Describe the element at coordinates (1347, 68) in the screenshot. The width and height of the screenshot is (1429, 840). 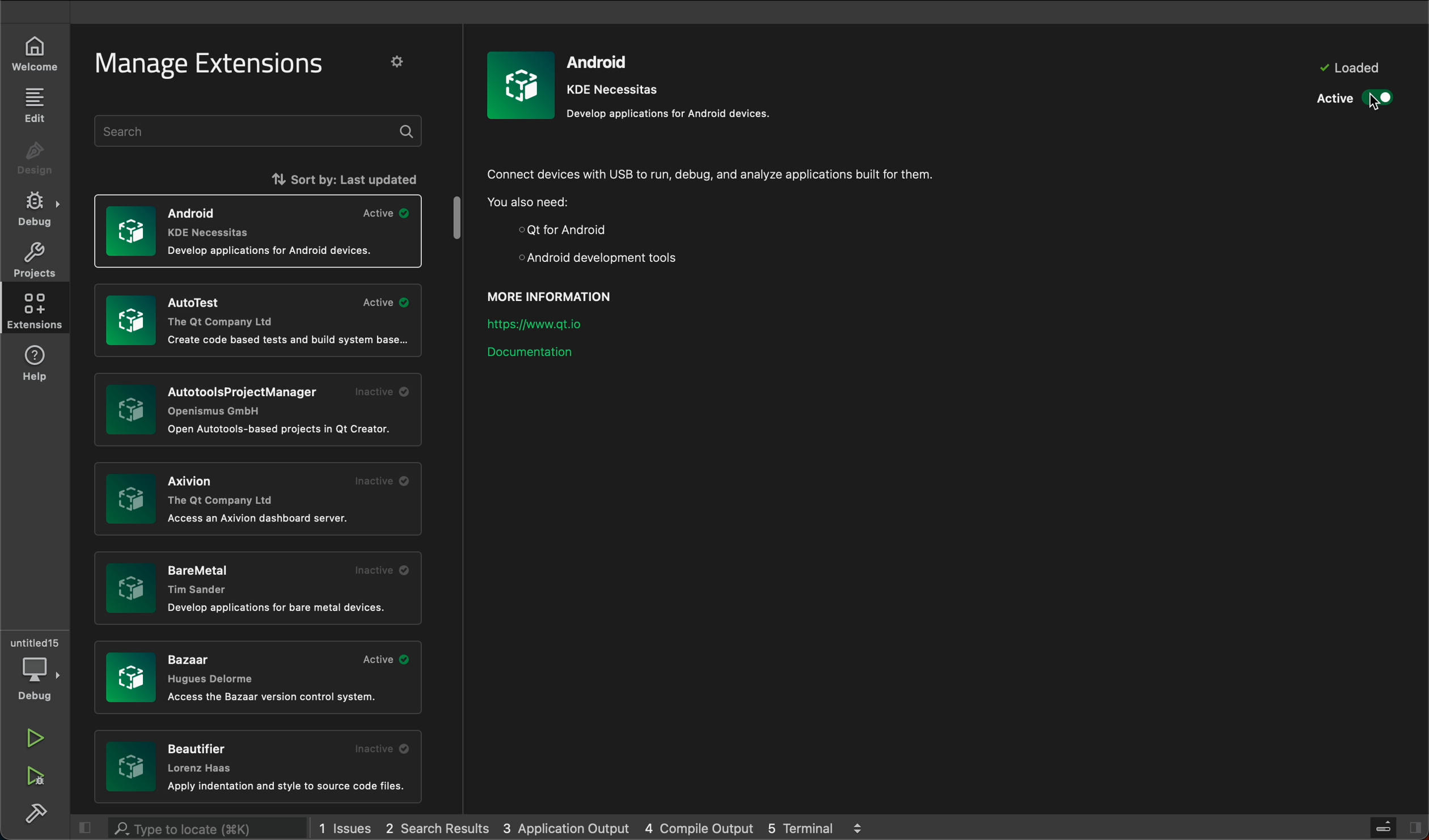
I see `loaded` at that location.